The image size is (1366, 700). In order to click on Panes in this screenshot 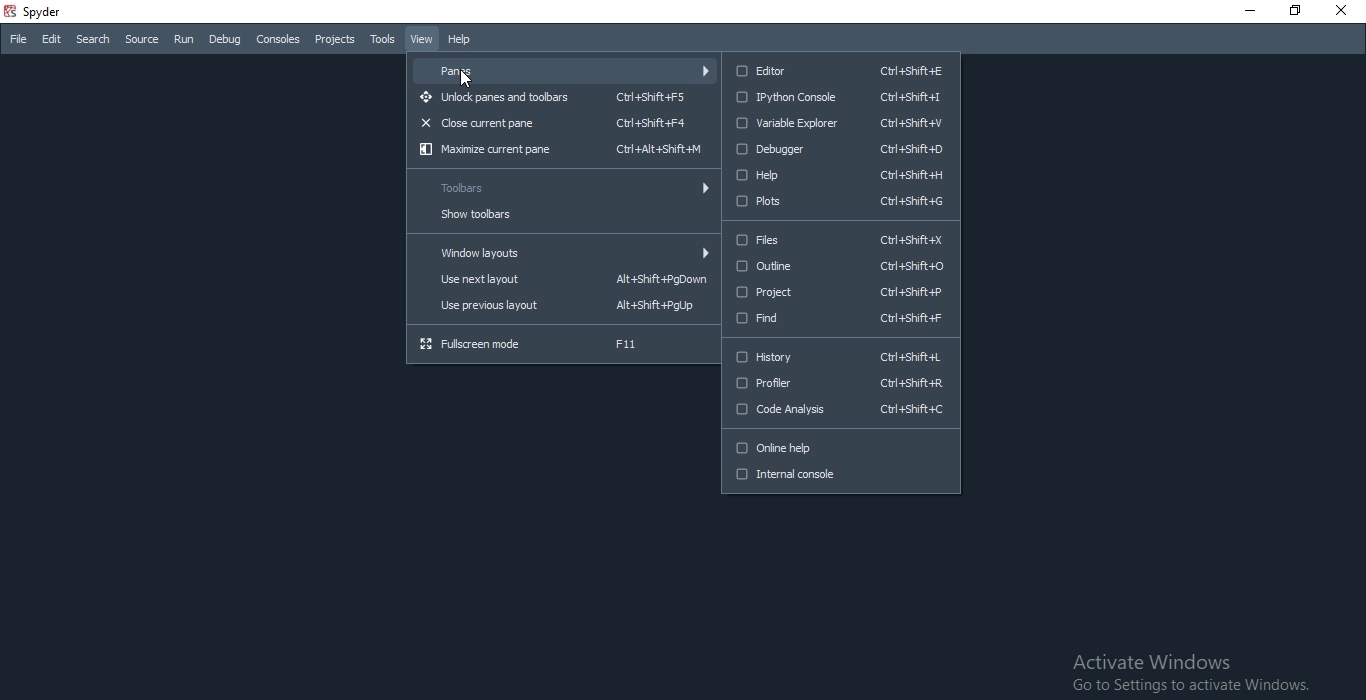, I will do `click(565, 69)`.